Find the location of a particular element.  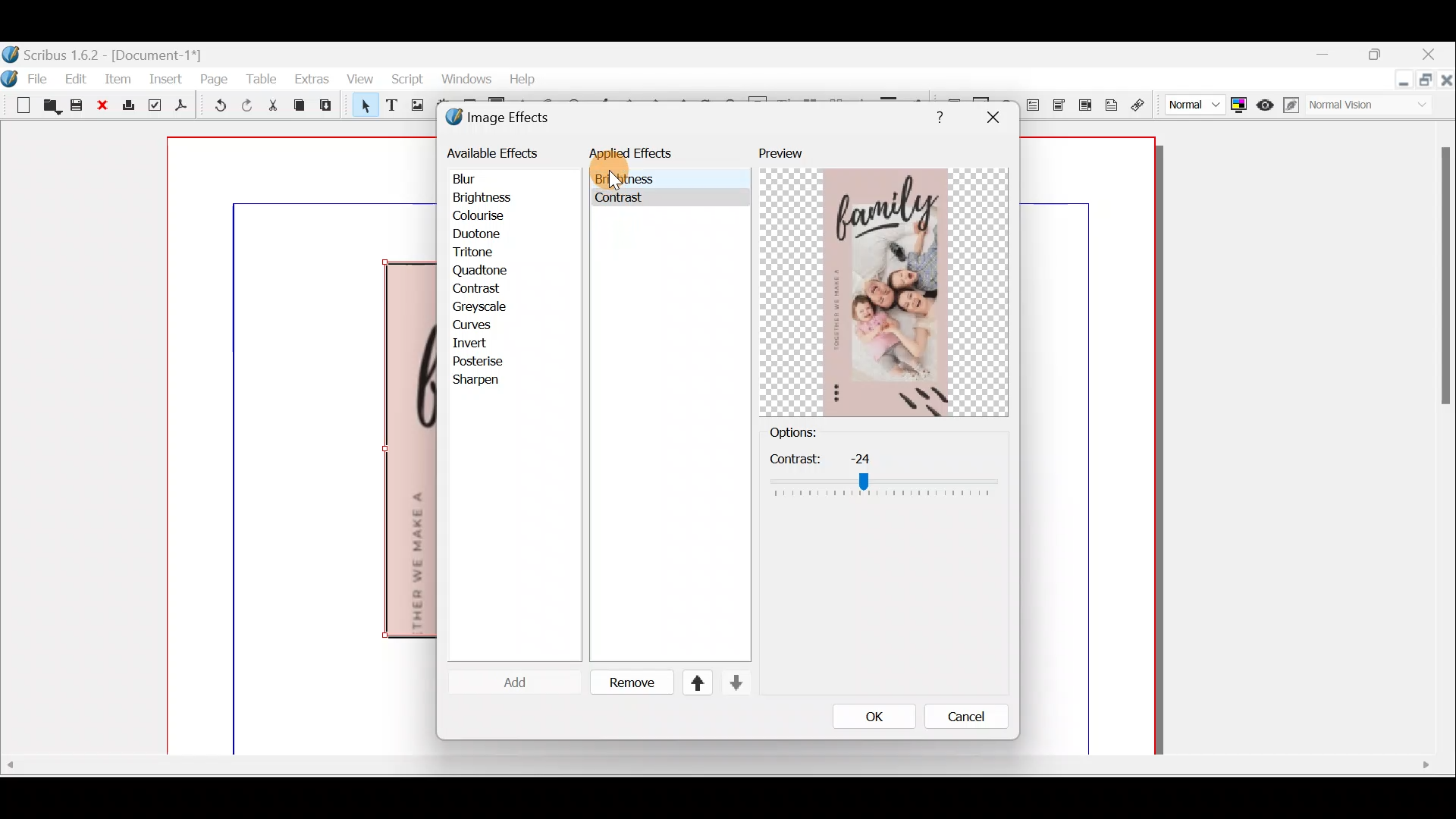

Image frame is located at coordinates (415, 107).